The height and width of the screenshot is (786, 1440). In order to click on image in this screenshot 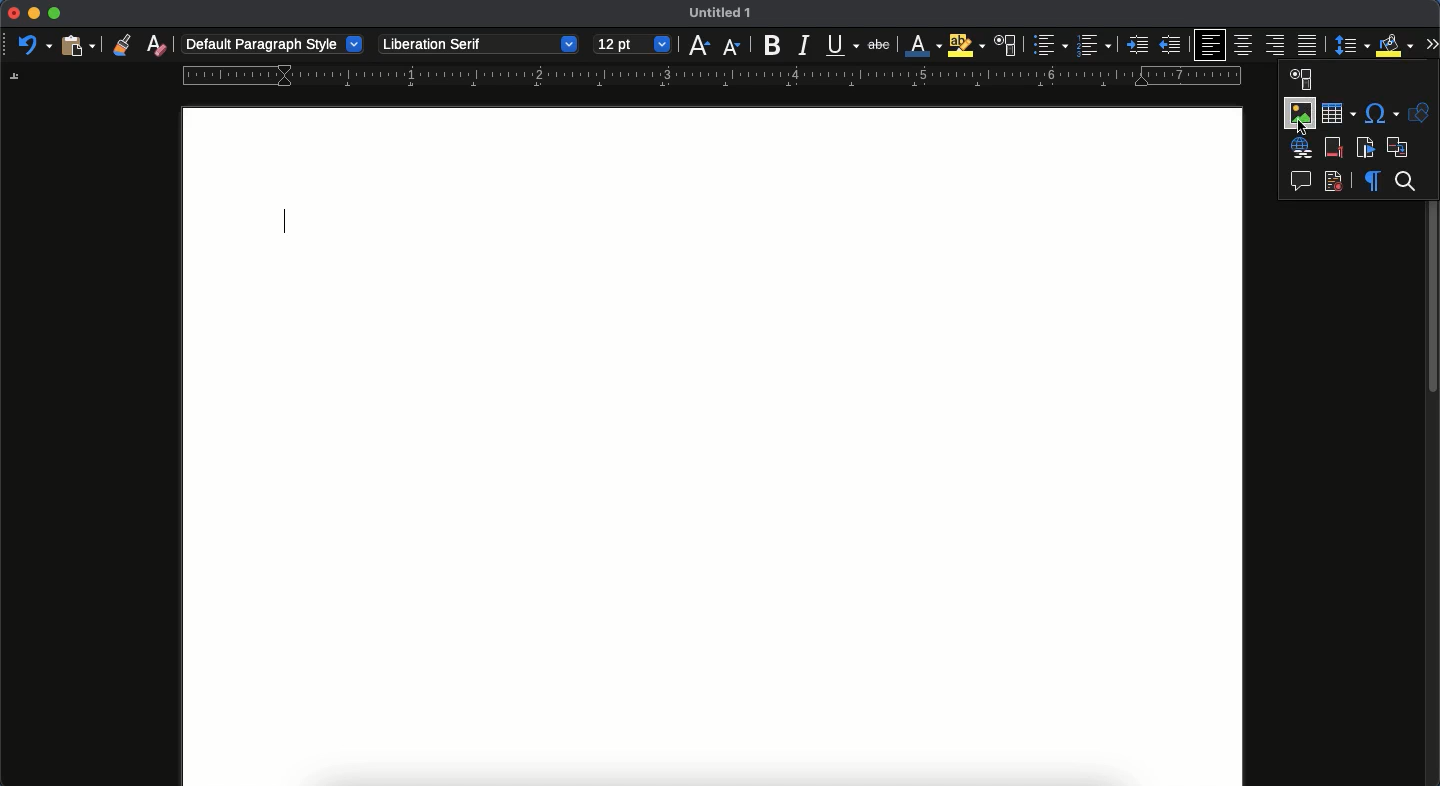, I will do `click(1300, 107)`.